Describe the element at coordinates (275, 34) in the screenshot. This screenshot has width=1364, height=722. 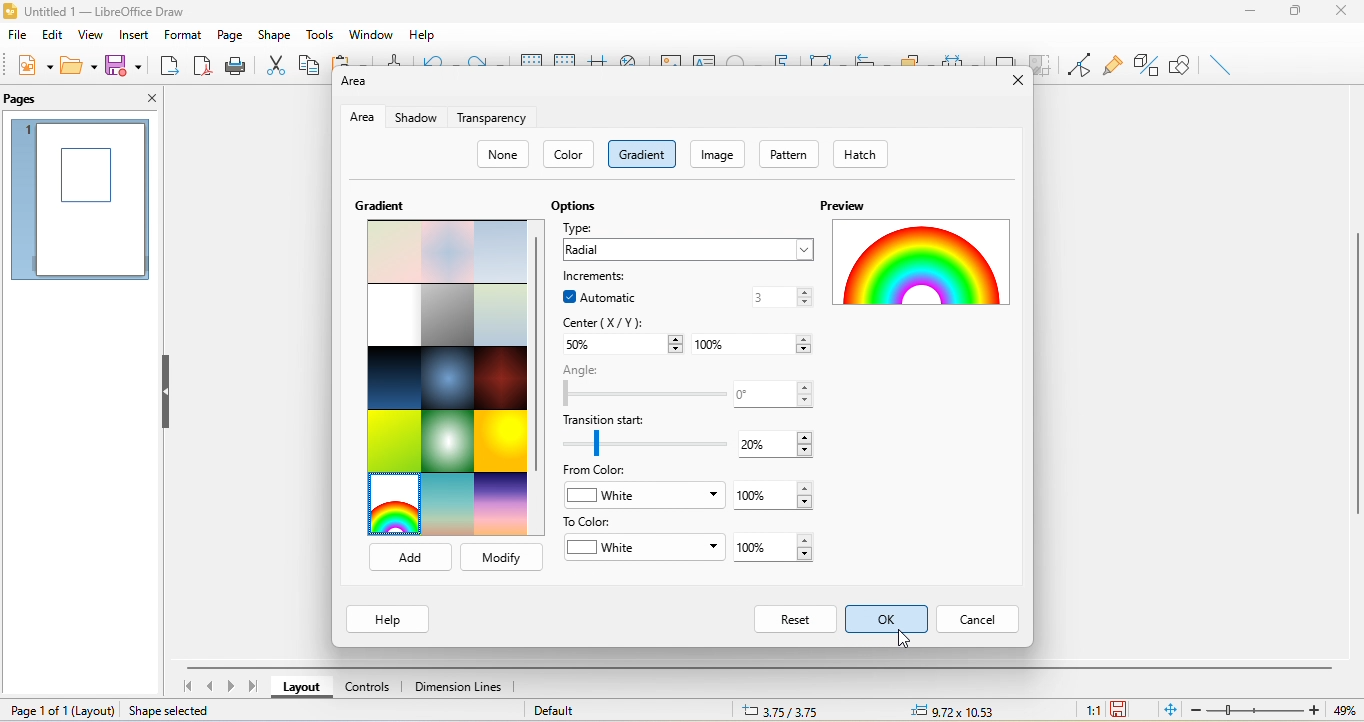
I see `shape` at that location.